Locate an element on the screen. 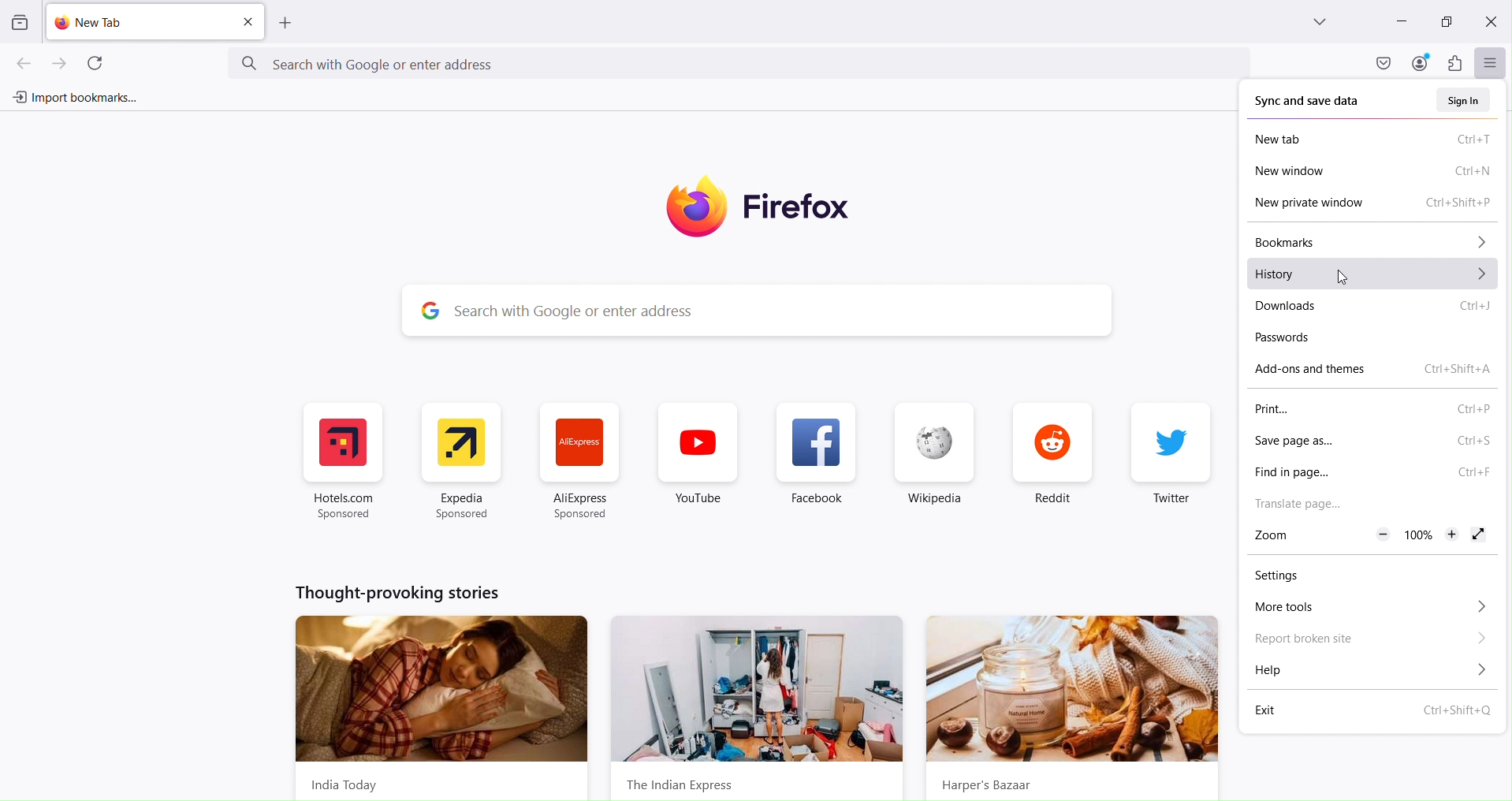  View recent browsing across windows and devices is located at coordinates (18, 24).